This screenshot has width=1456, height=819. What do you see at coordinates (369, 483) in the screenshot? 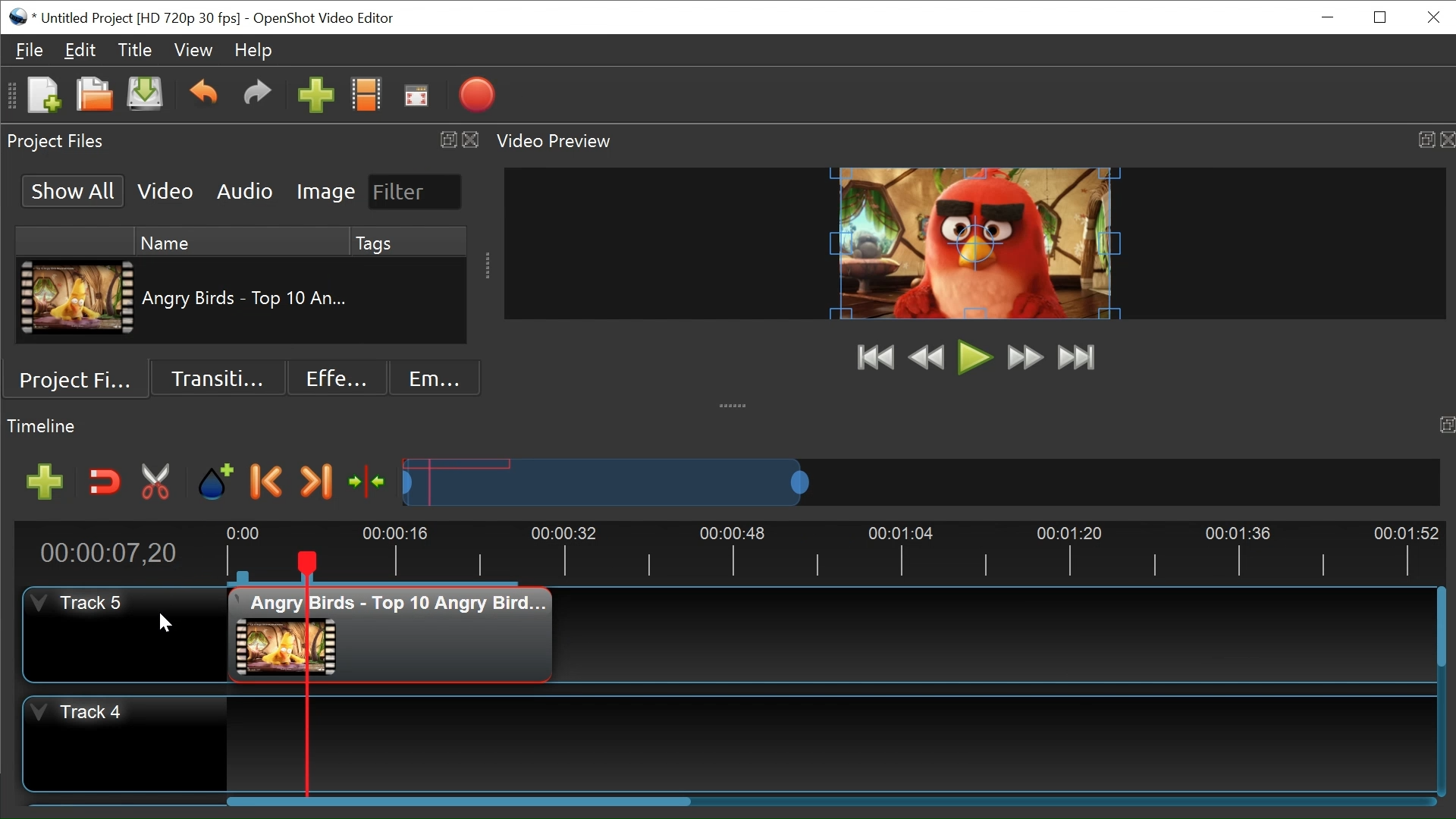
I see `Center the timeline at the playhead` at bounding box center [369, 483].